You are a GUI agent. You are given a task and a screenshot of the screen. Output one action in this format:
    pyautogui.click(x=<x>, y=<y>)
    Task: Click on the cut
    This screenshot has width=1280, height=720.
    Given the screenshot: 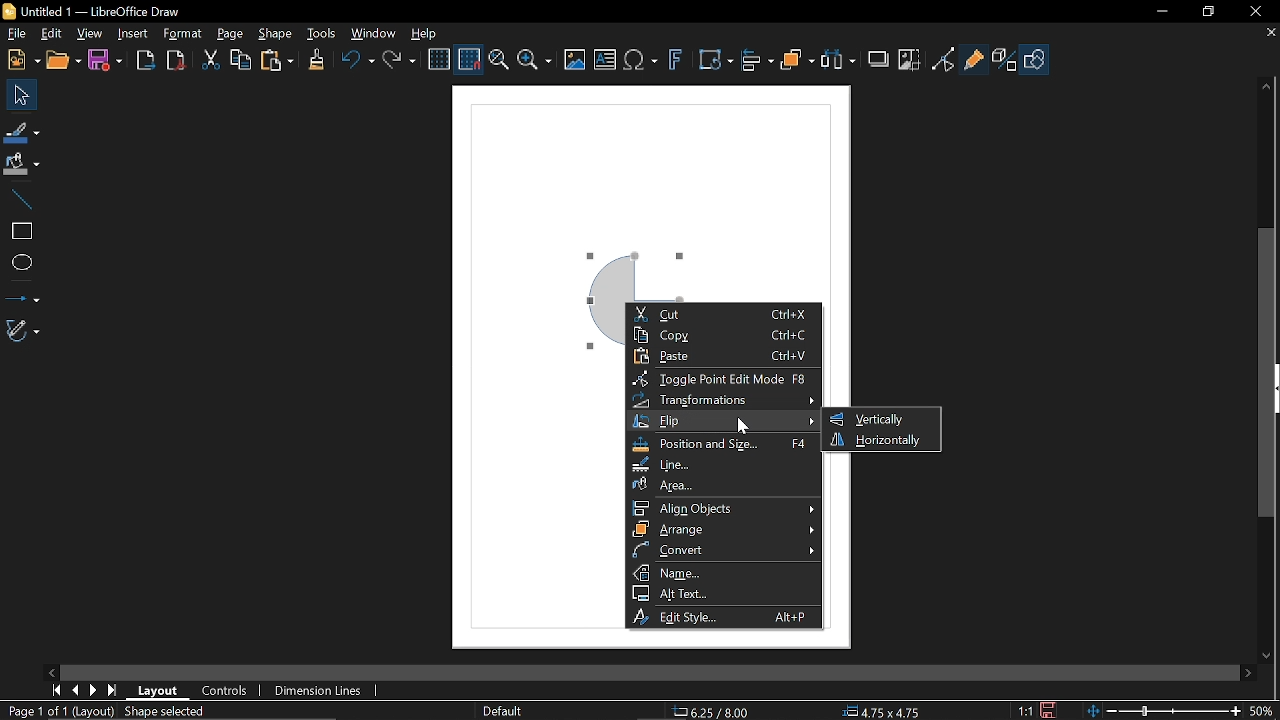 What is the action you would take?
    pyautogui.click(x=207, y=60)
    